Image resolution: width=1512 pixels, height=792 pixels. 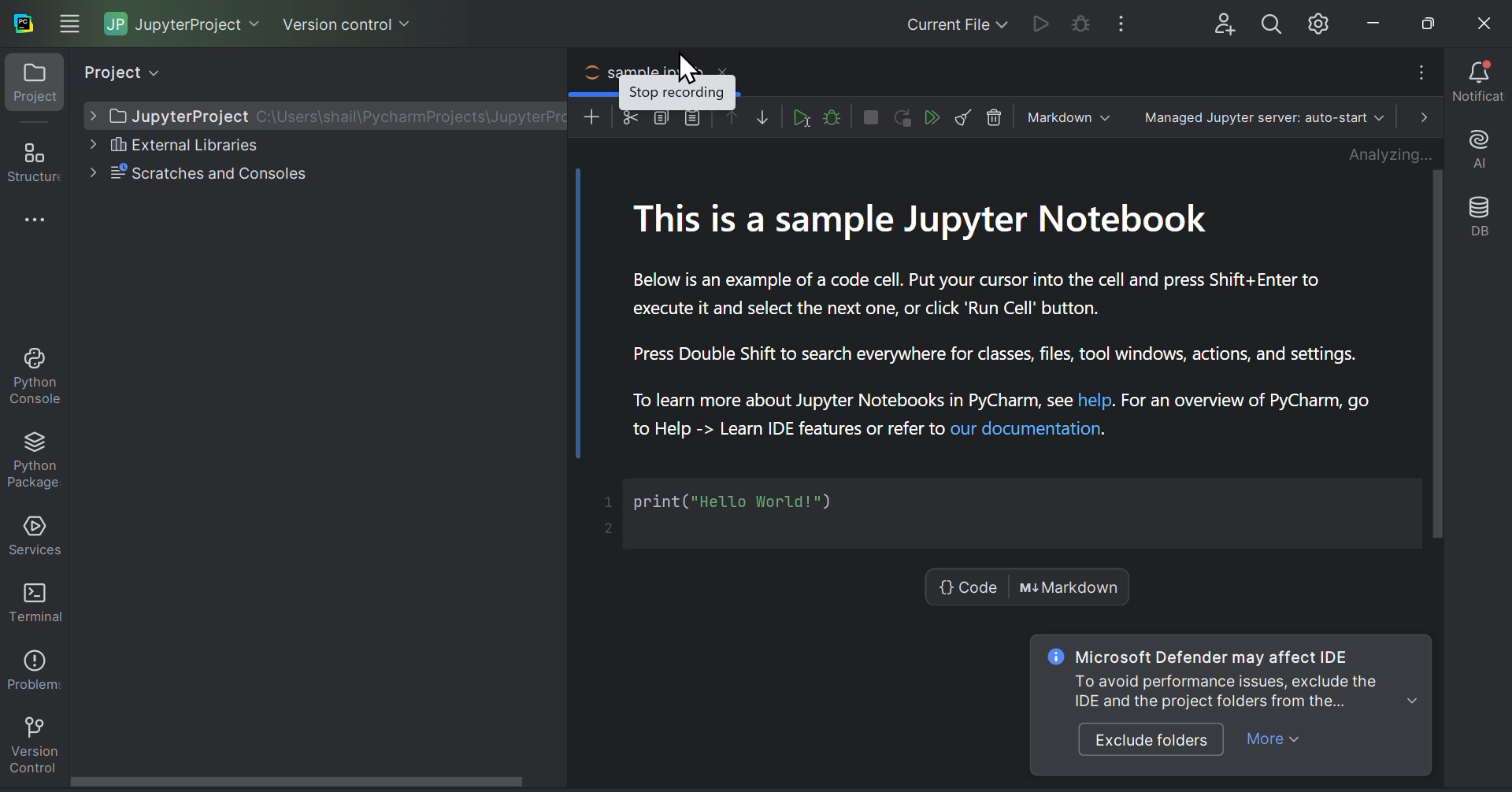 I want to click on Structures, so click(x=32, y=241).